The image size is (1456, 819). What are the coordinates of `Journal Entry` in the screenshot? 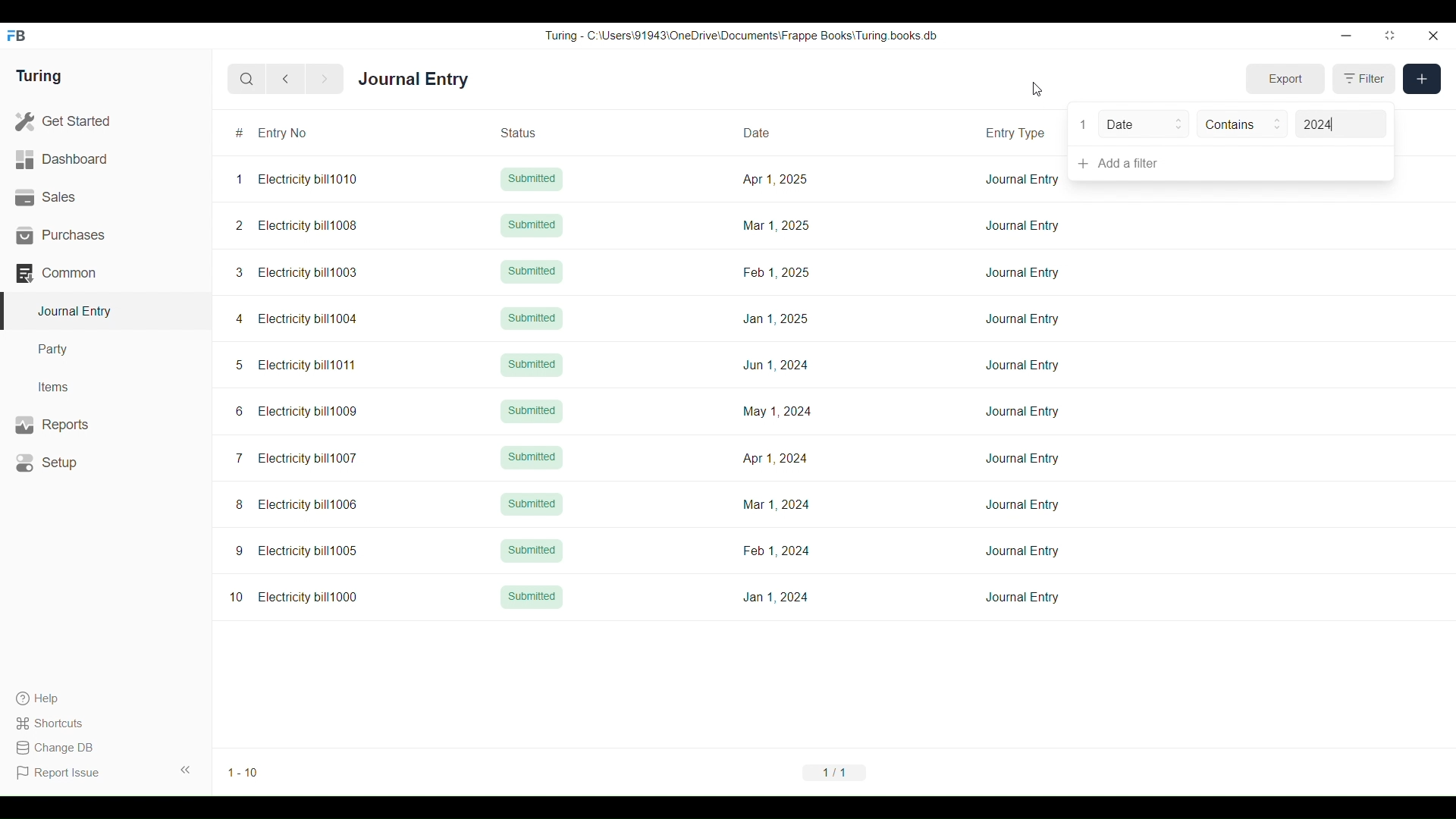 It's located at (1022, 226).